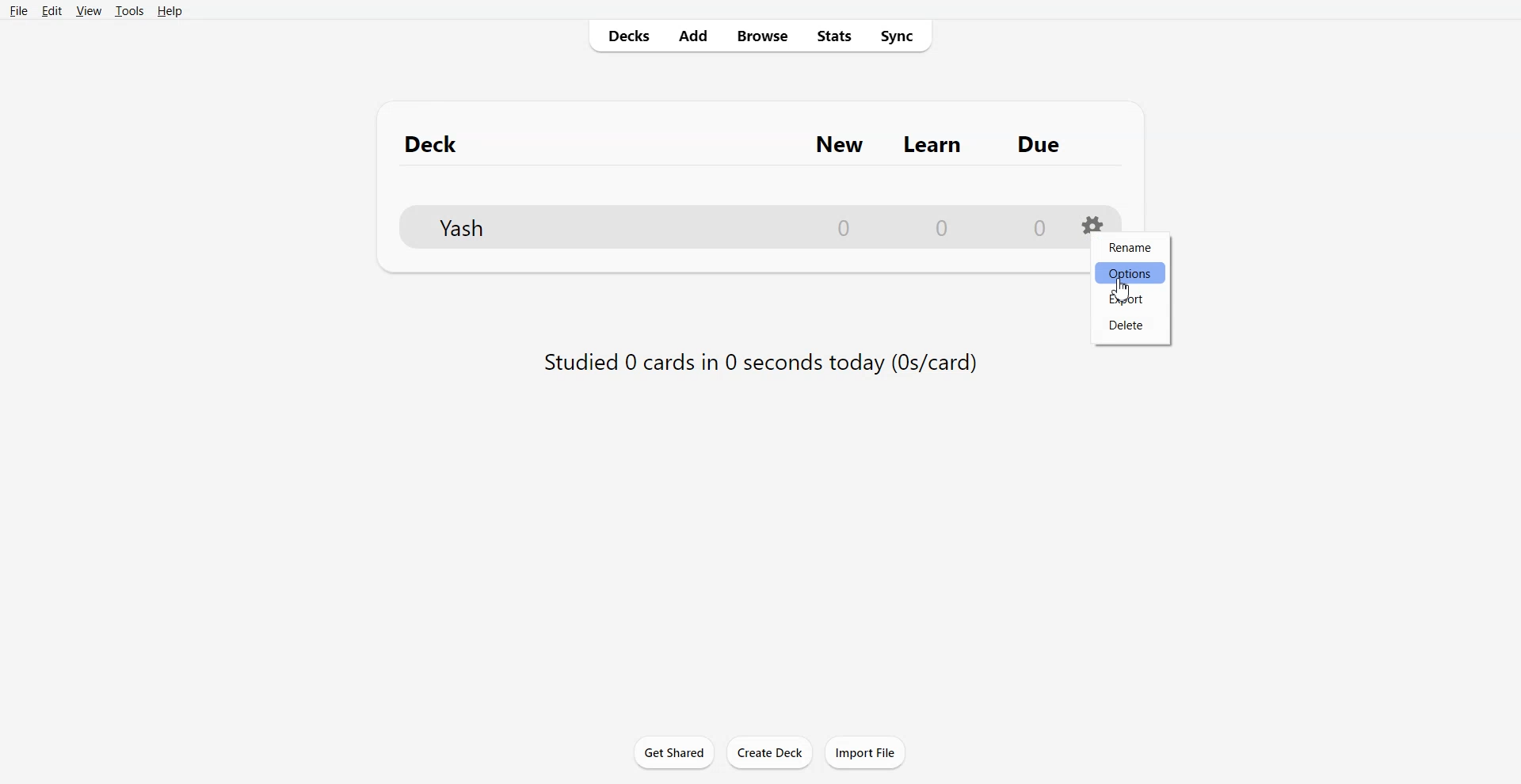  What do you see at coordinates (170, 11) in the screenshot?
I see `Help` at bounding box center [170, 11].